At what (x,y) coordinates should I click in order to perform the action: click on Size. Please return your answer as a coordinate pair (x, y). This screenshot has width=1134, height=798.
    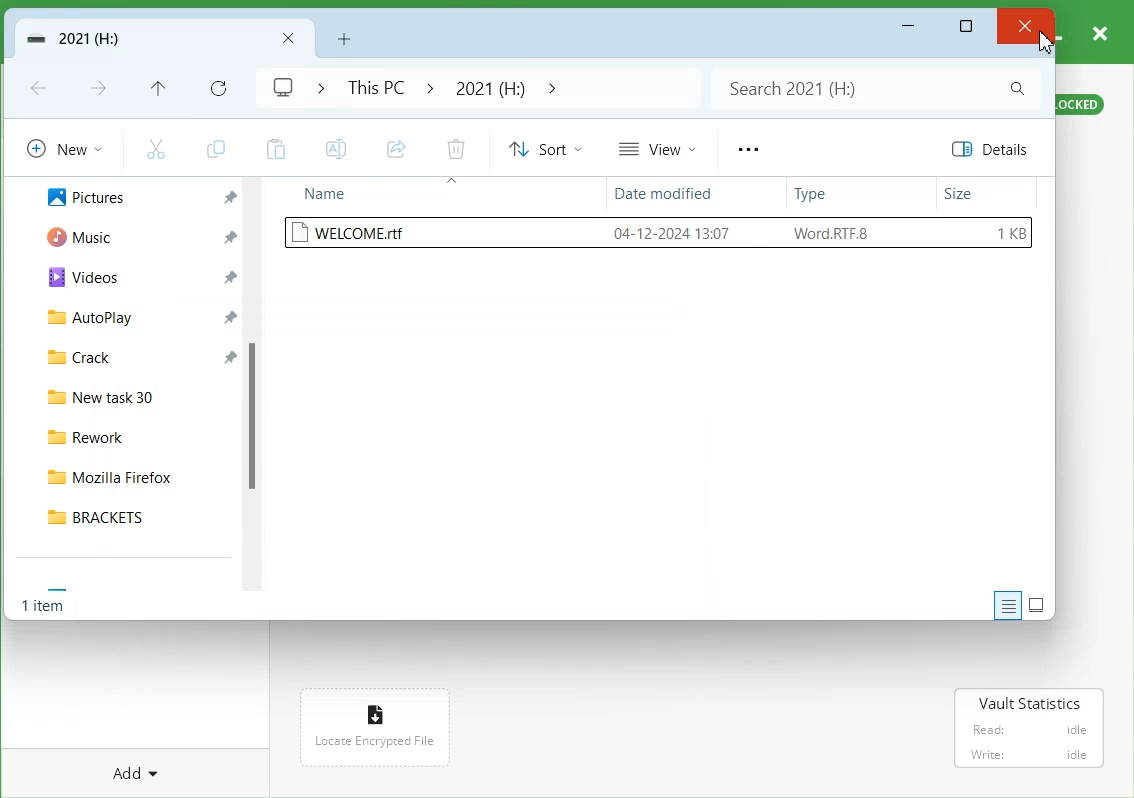
    Looking at the image, I should click on (985, 194).